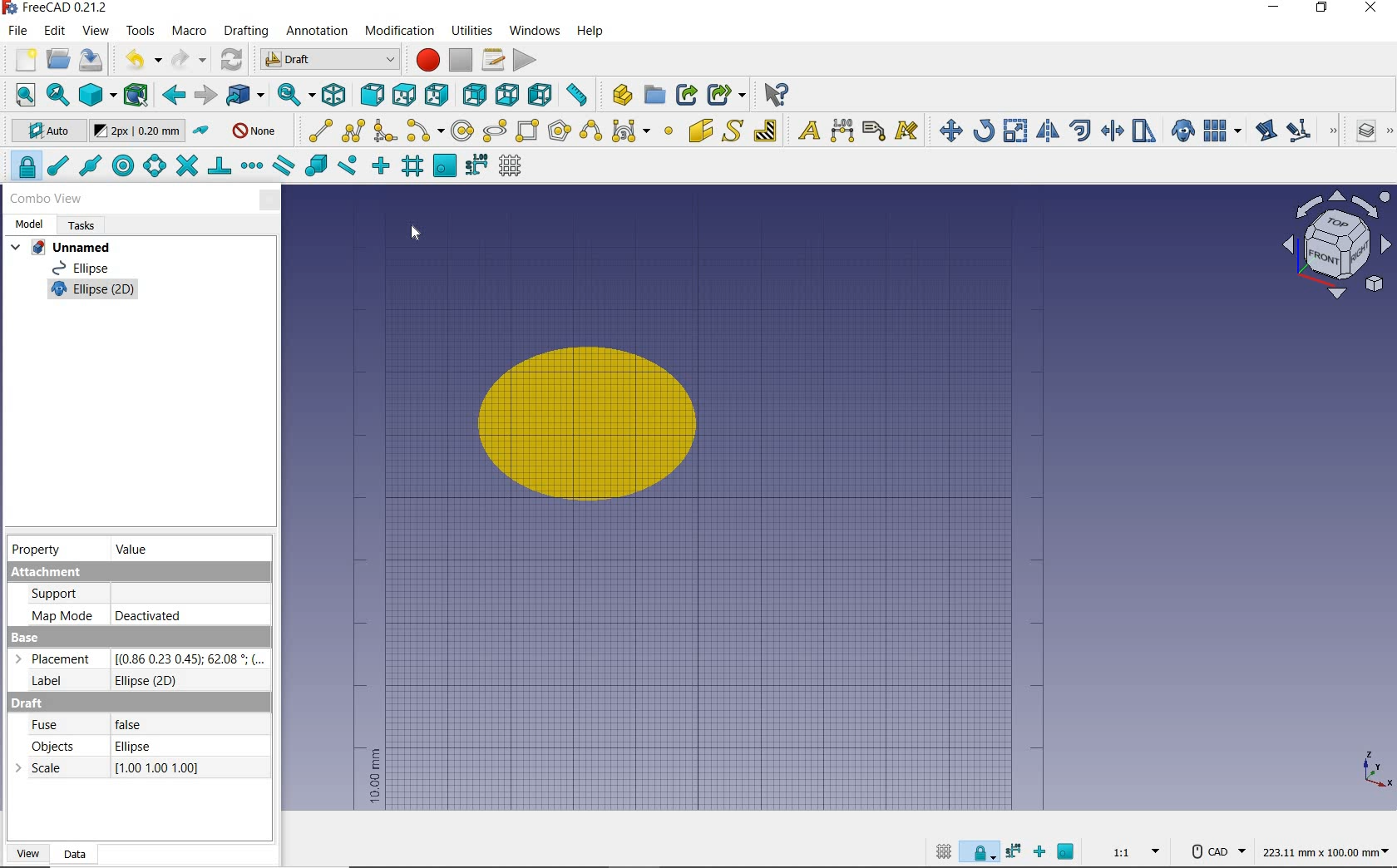 Image resolution: width=1397 pixels, height=868 pixels. What do you see at coordinates (155, 168) in the screenshot?
I see `snap angle` at bounding box center [155, 168].